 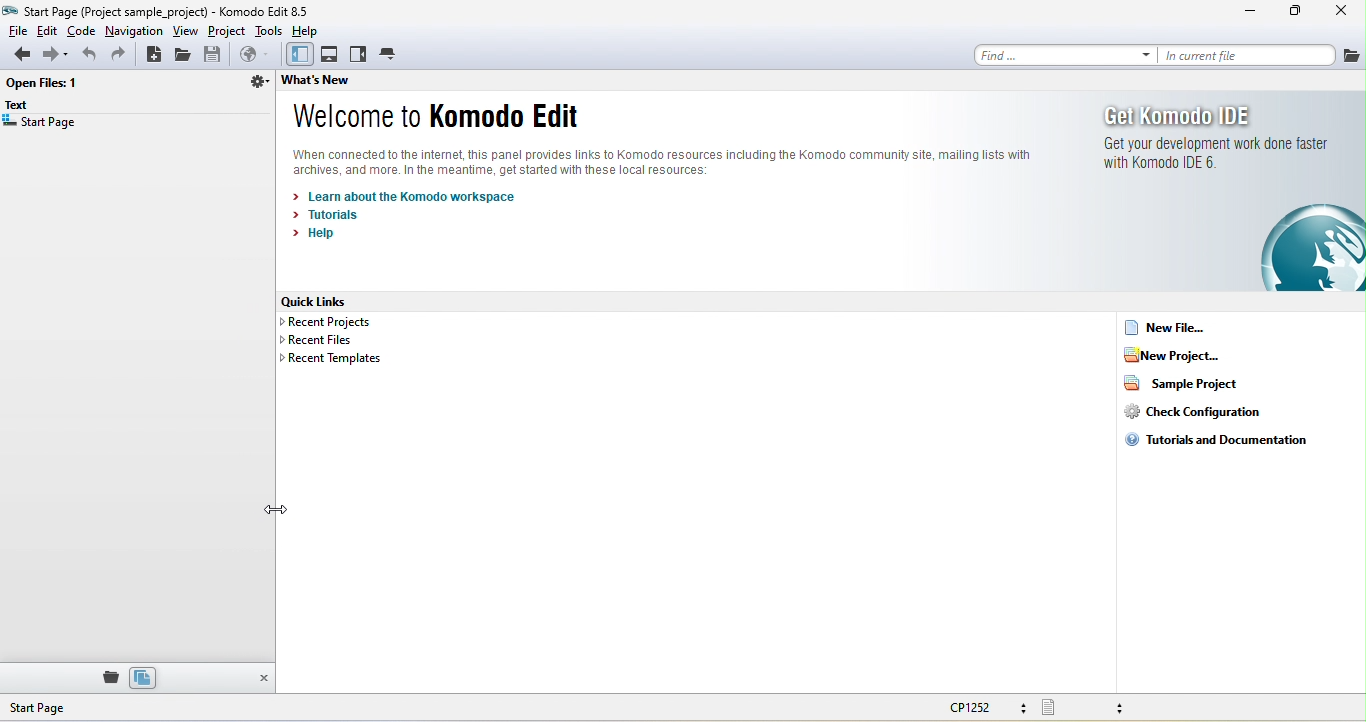 What do you see at coordinates (681, 162) in the screenshot?
I see `komodo text` at bounding box center [681, 162].